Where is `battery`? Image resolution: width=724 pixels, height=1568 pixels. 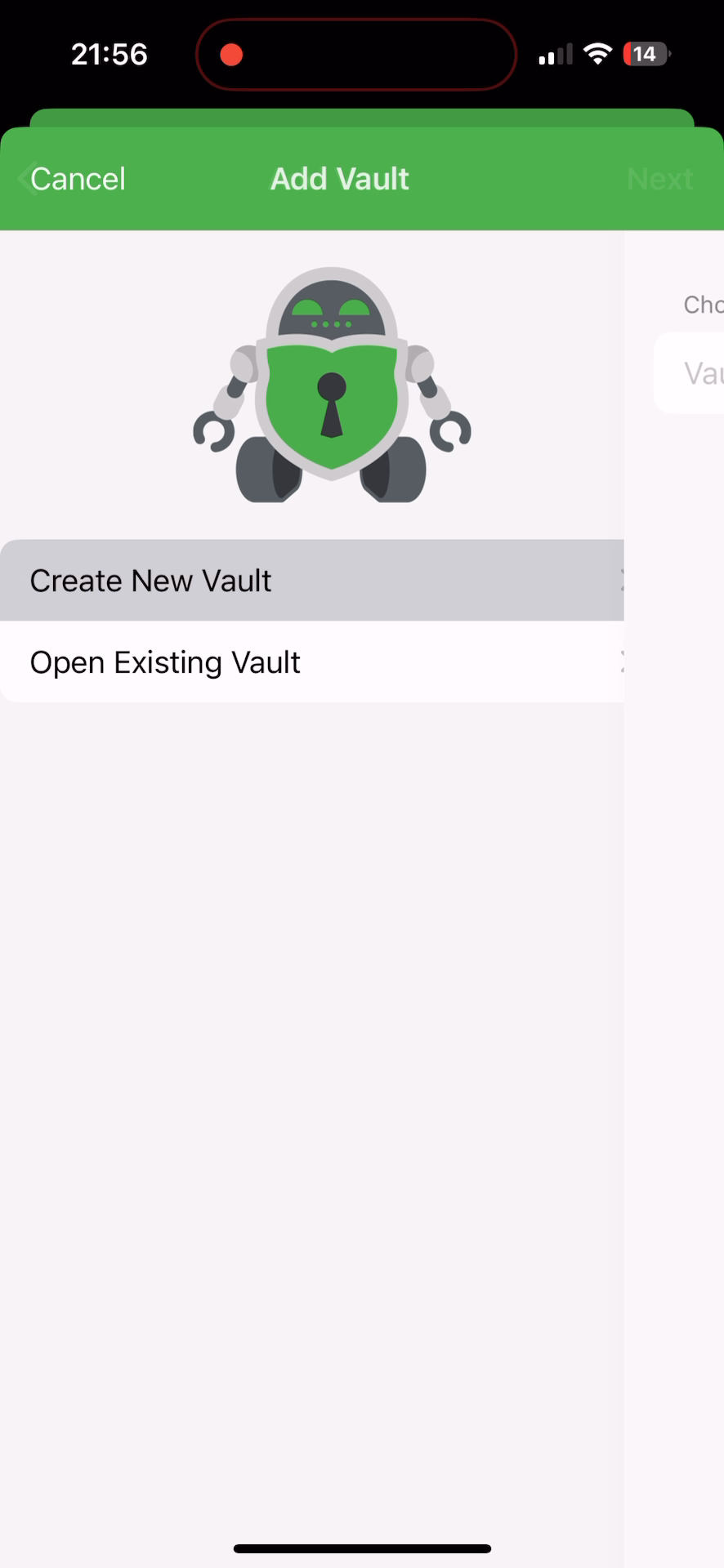 battery is located at coordinates (646, 56).